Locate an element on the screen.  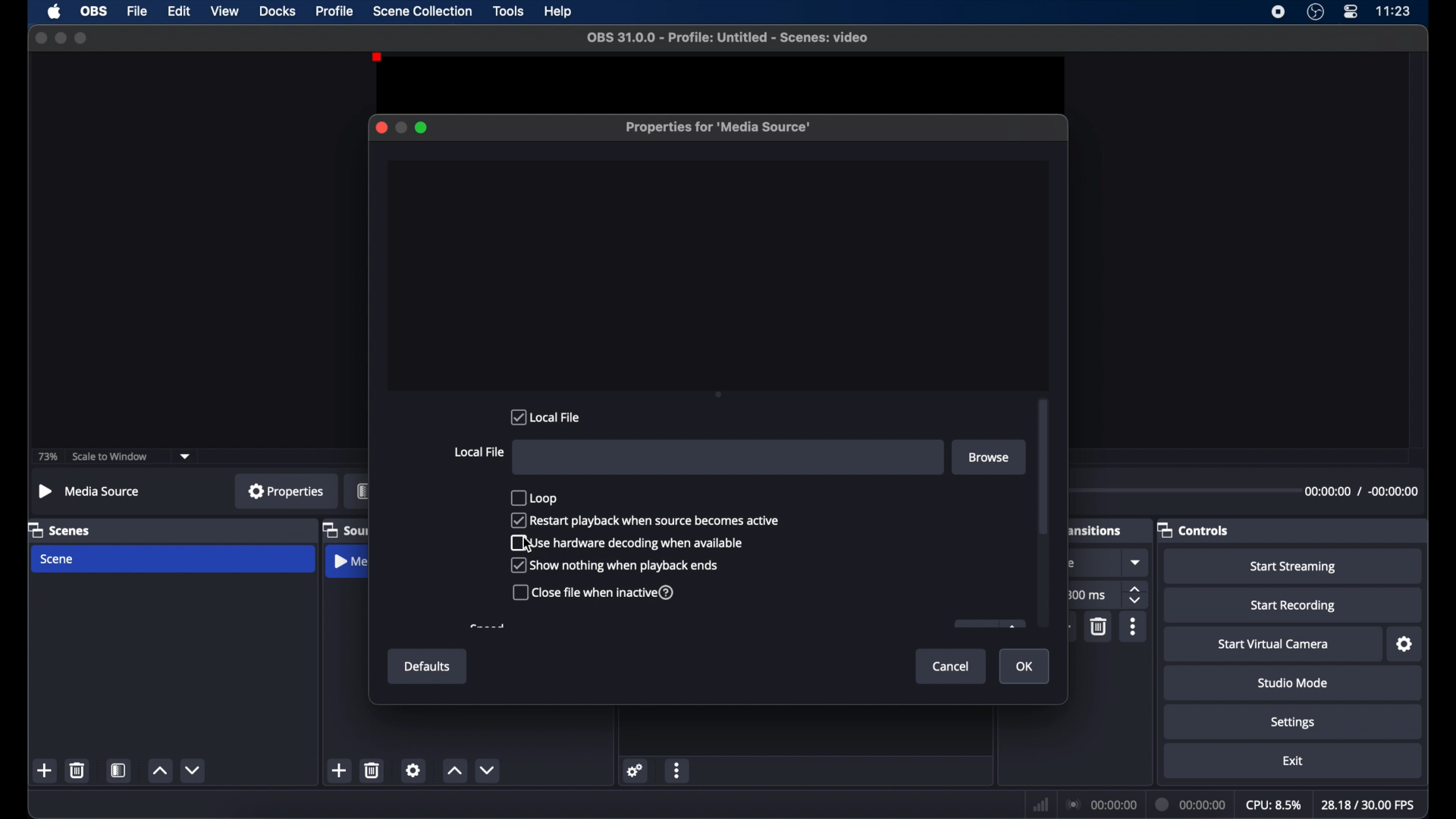
local file is located at coordinates (479, 452).